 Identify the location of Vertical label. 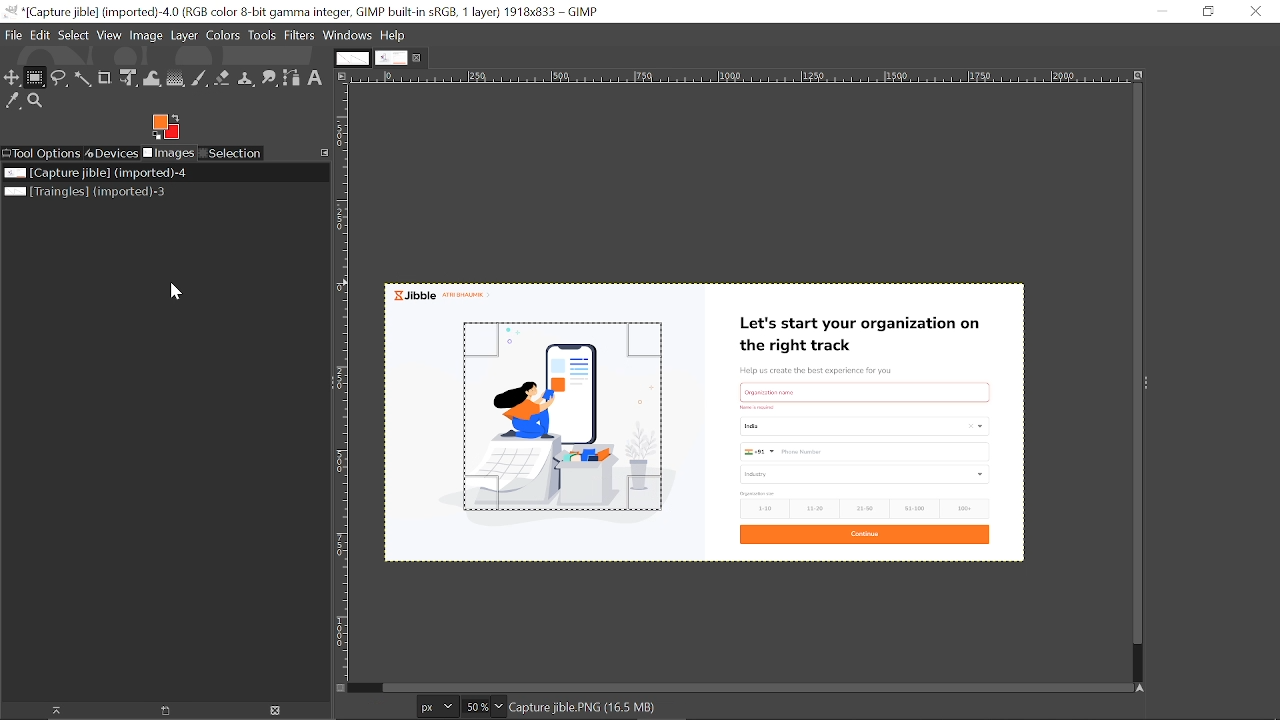
(346, 382).